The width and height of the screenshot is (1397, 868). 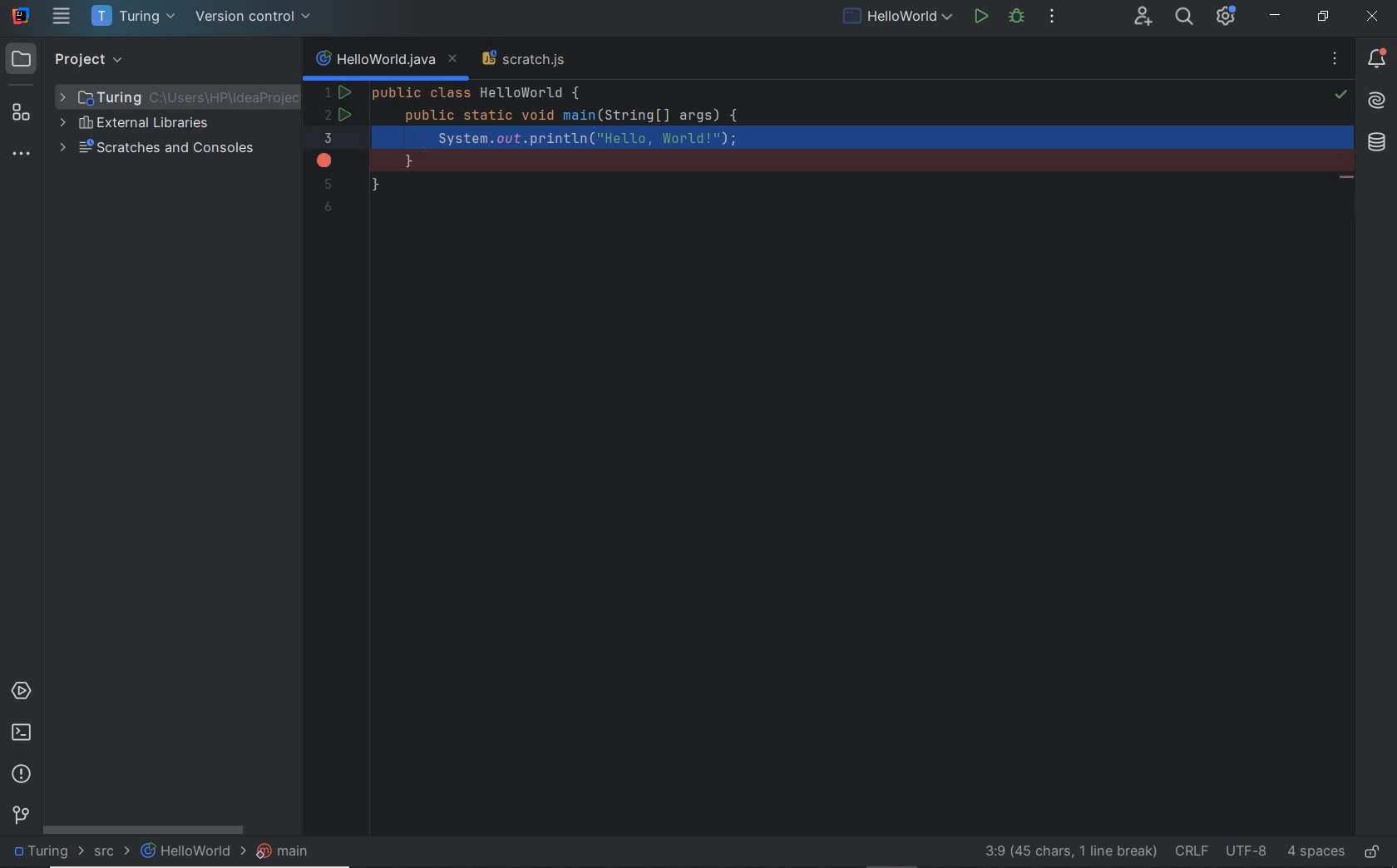 What do you see at coordinates (1373, 17) in the screenshot?
I see `close` at bounding box center [1373, 17].